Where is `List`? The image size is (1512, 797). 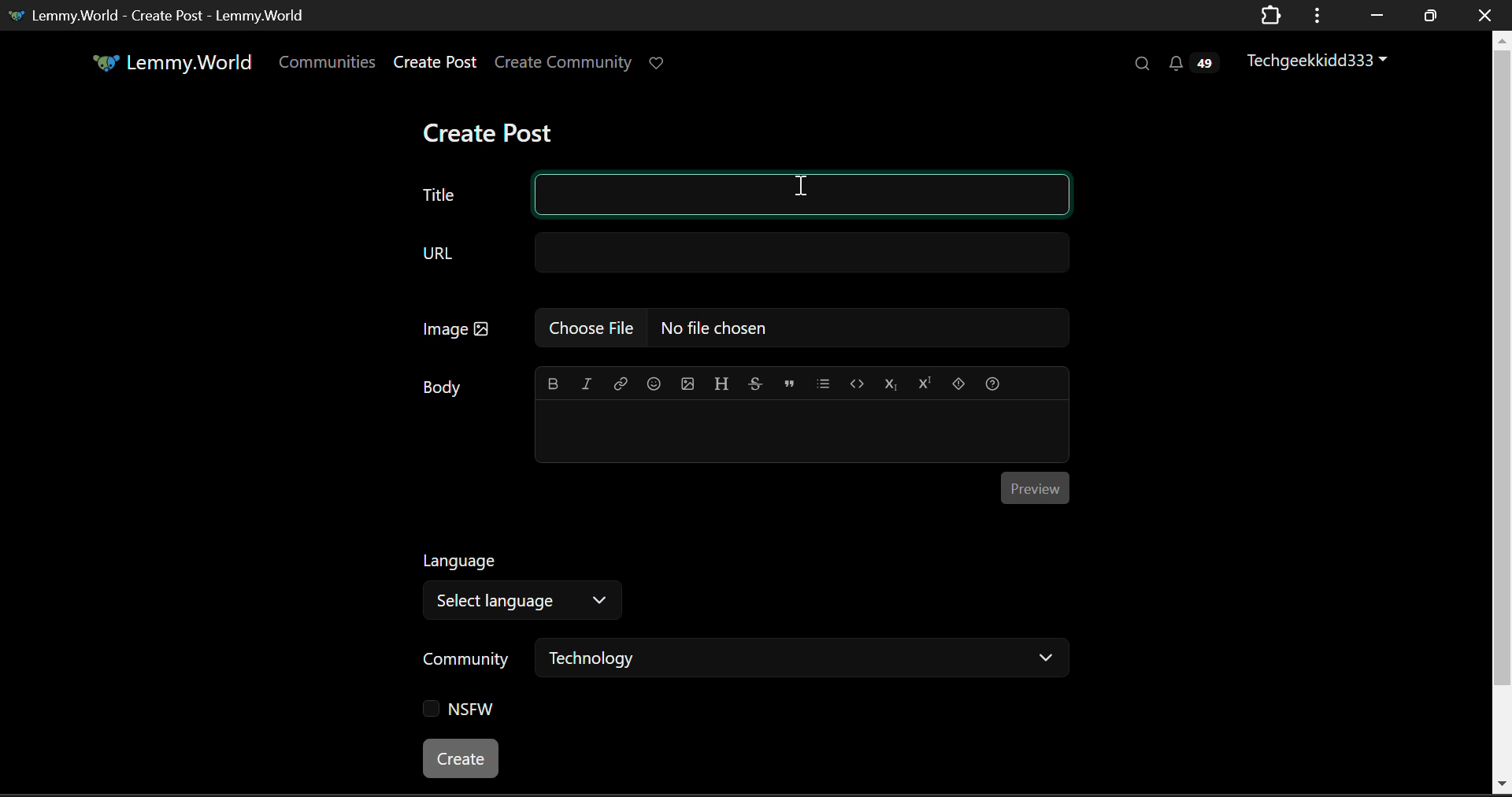 List is located at coordinates (823, 384).